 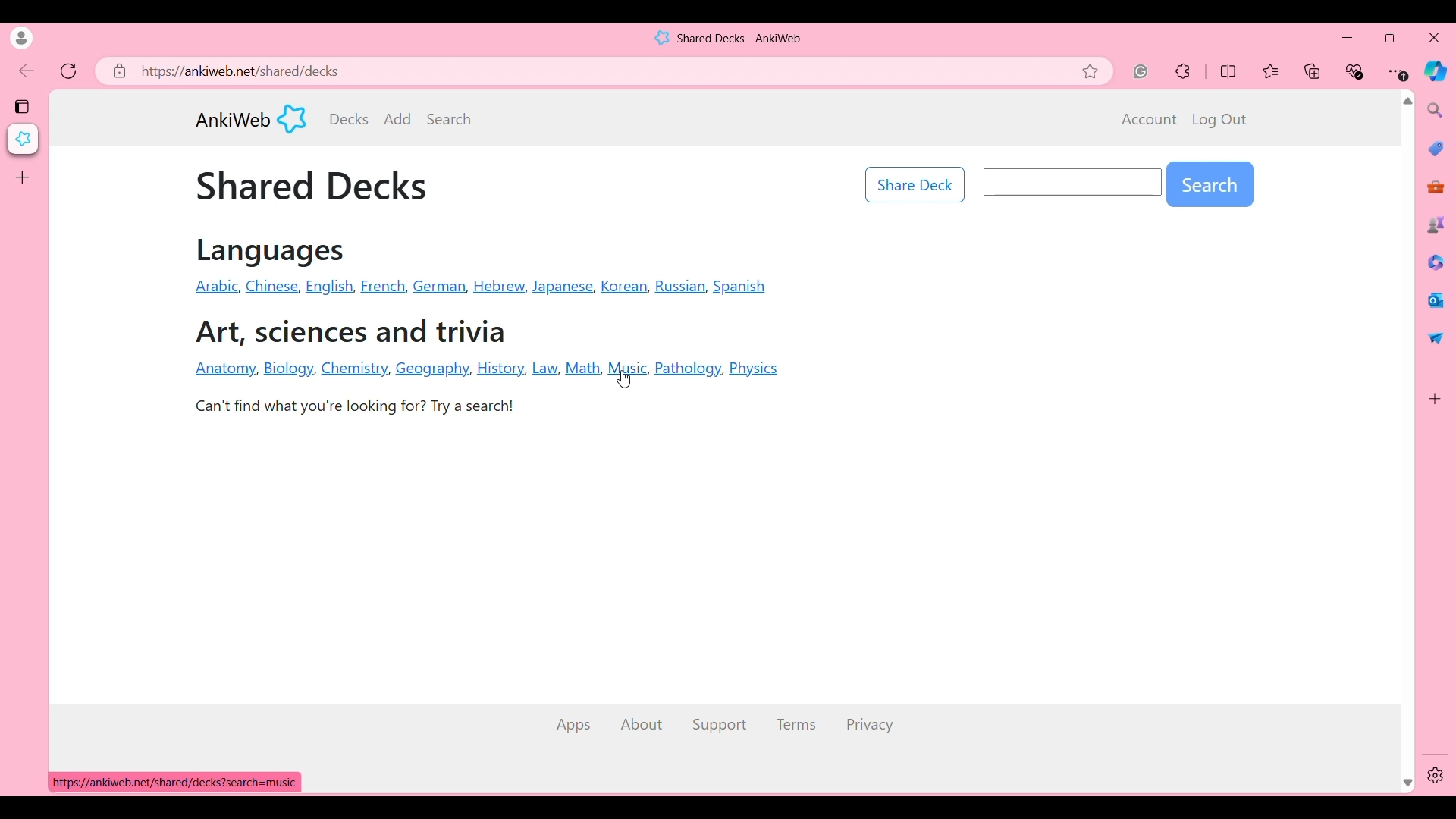 I want to click on https://ankiweb.net/shared/decks?search=music, so click(x=175, y=781).